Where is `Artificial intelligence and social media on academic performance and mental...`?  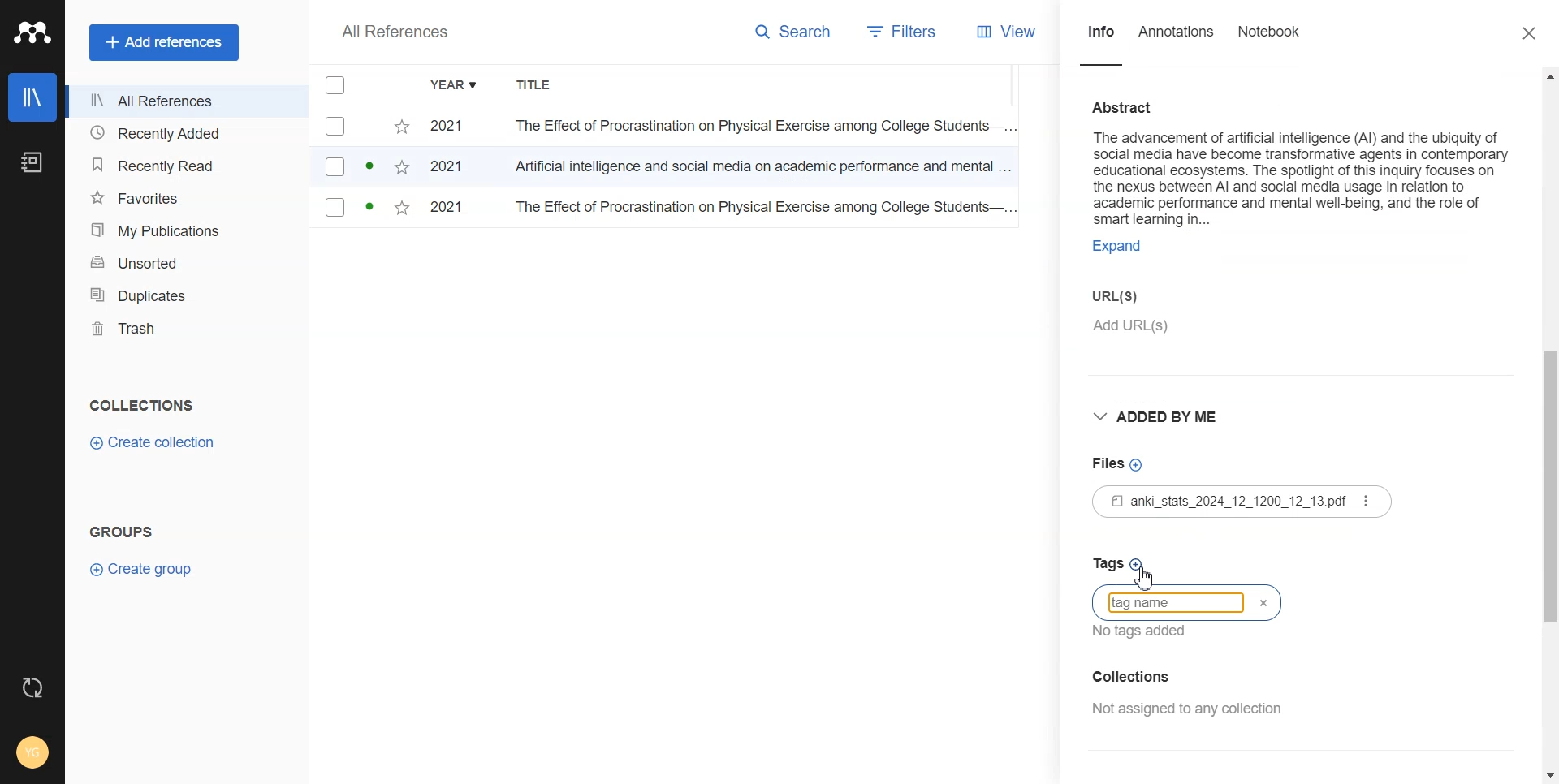 Artificial intelligence and social media on academic performance and mental... is located at coordinates (763, 170).